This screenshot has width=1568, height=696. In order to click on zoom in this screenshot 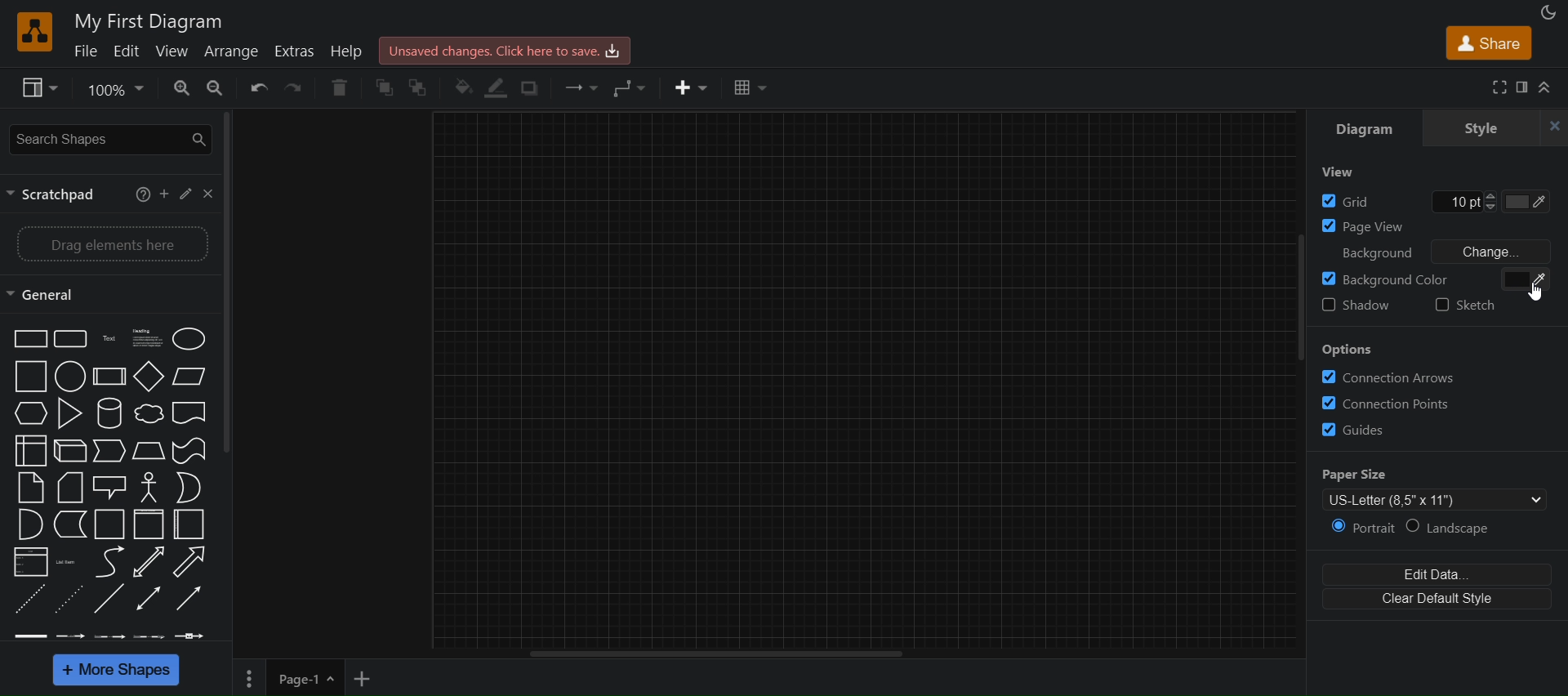, I will do `click(114, 87)`.